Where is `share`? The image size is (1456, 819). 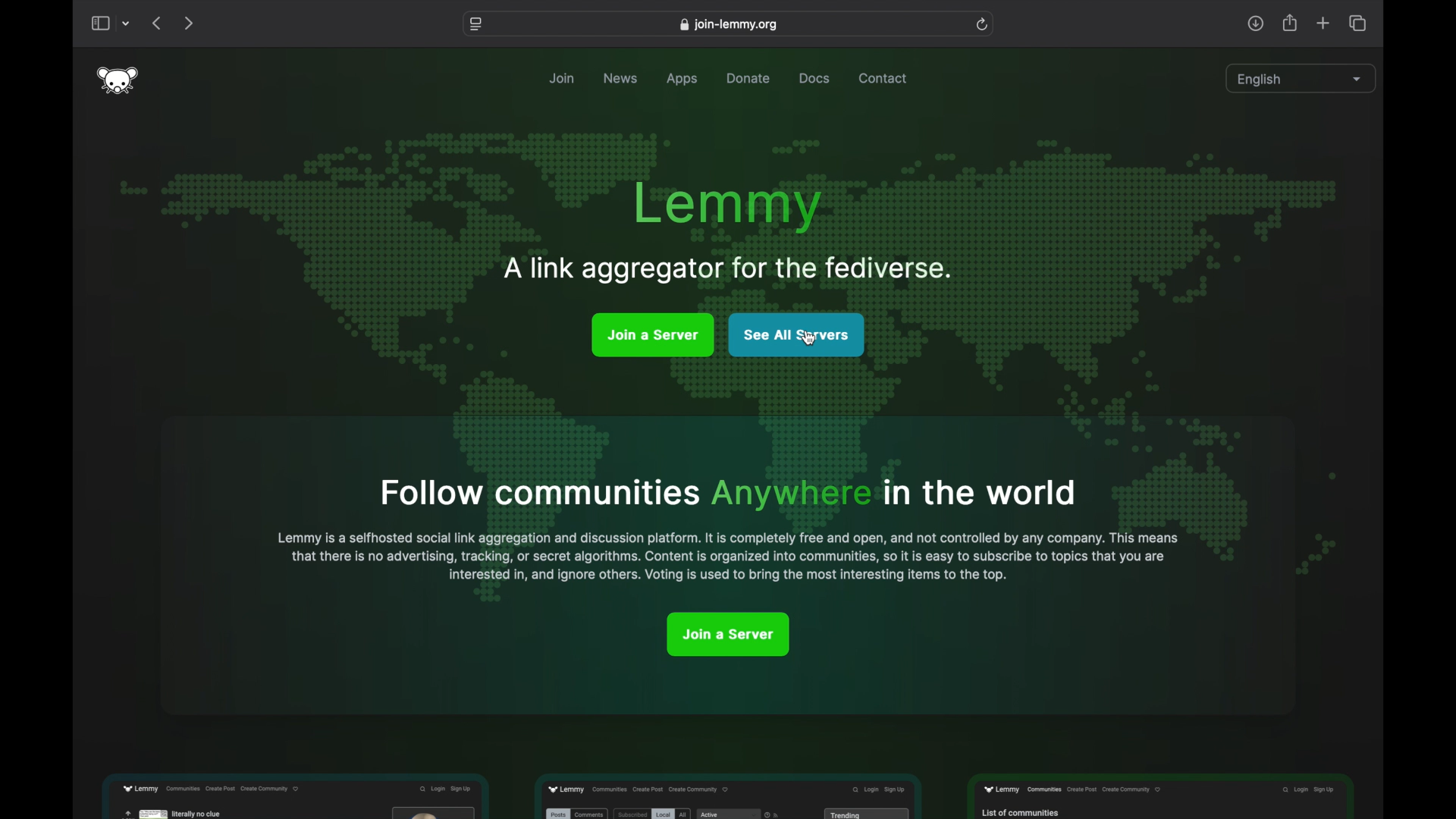
share is located at coordinates (1288, 23).